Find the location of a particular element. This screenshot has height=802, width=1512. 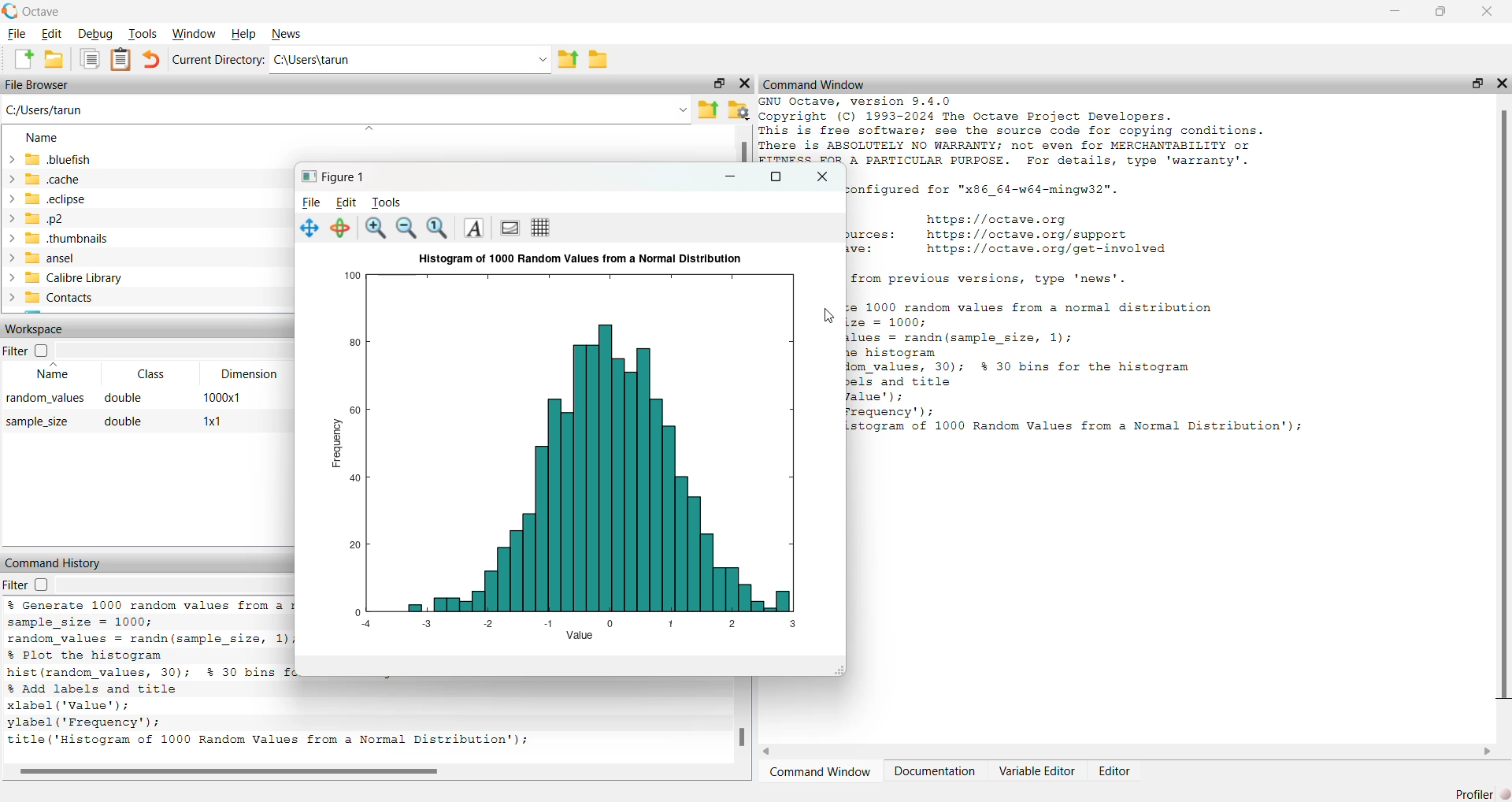

minimize is located at coordinates (731, 177).